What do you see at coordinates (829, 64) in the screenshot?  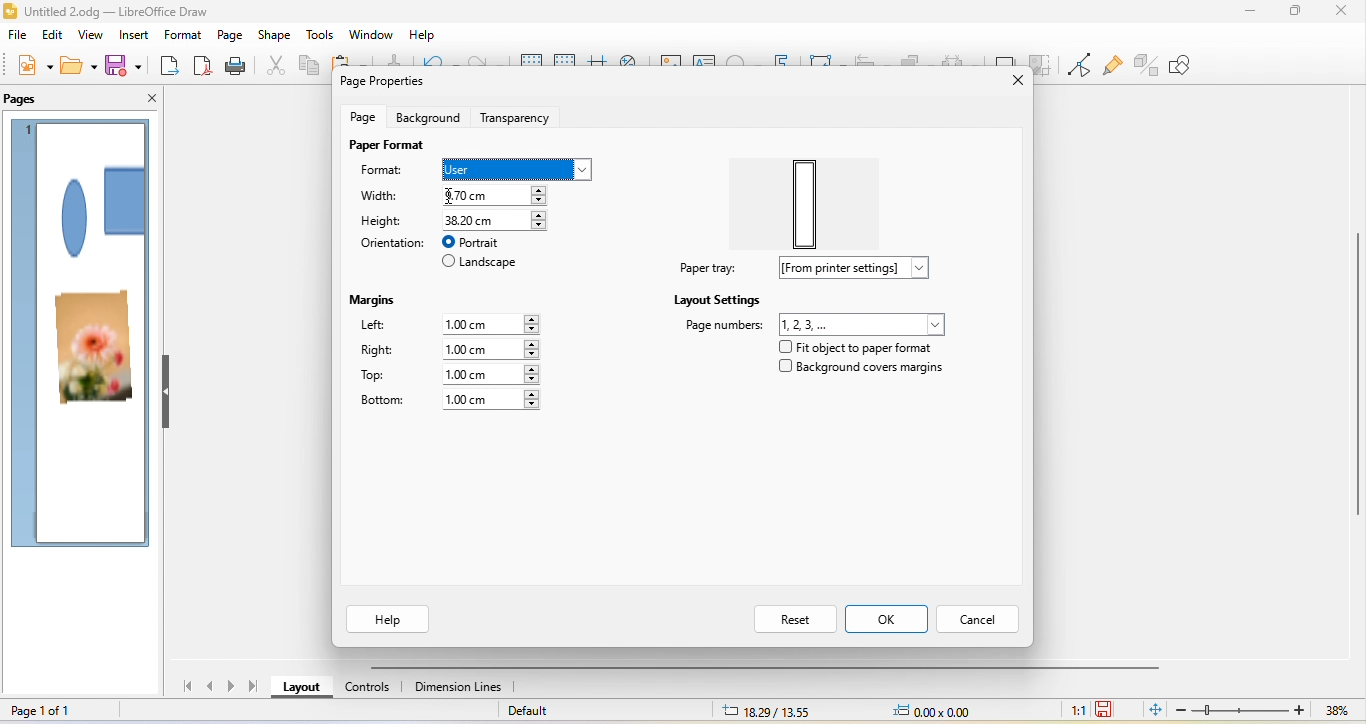 I see `transformation` at bounding box center [829, 64].